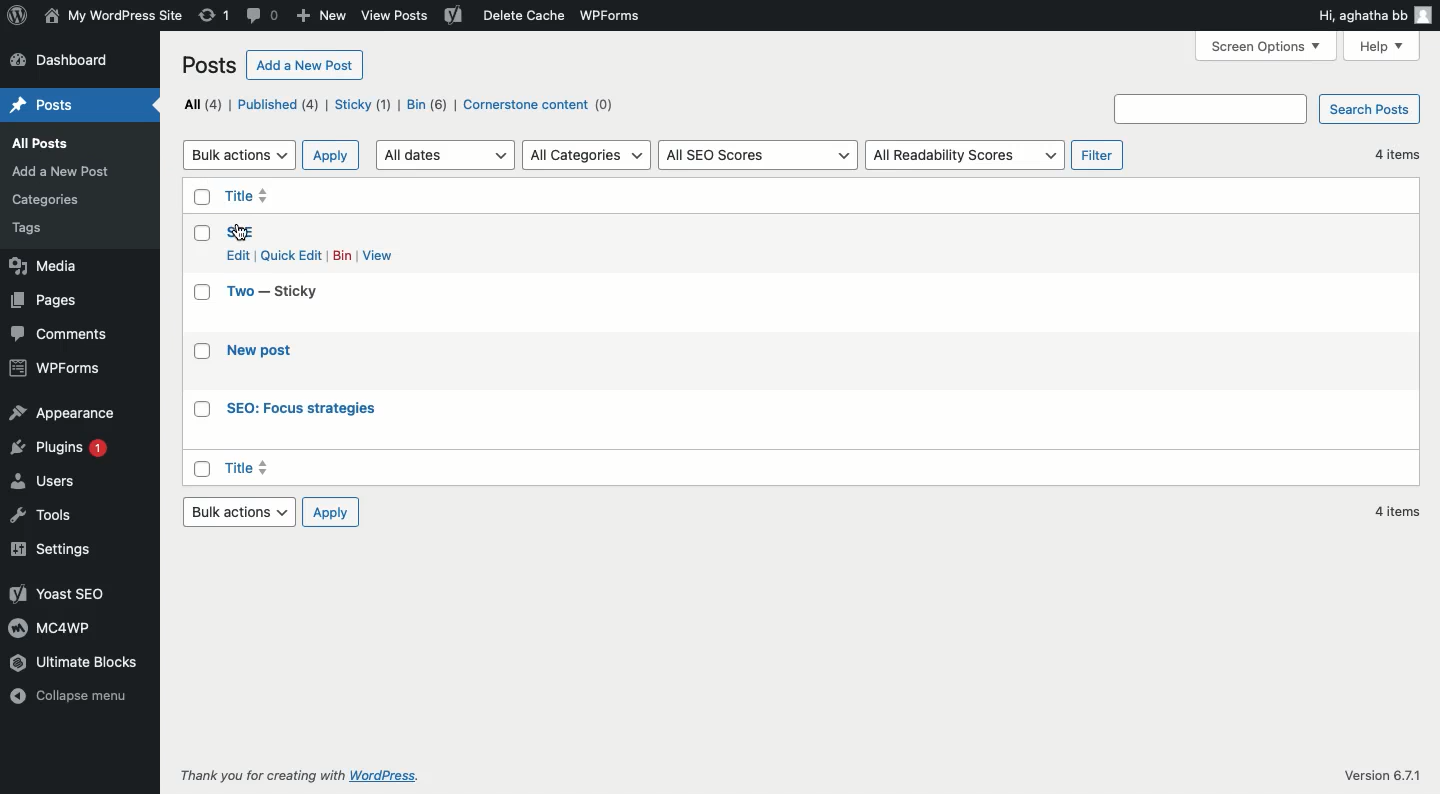 The width and height of the screenshot is (1440, 794). What do you see at coordinates (260, 17) in the screenshot?
I see `comments` at bounding box center [260, 17].